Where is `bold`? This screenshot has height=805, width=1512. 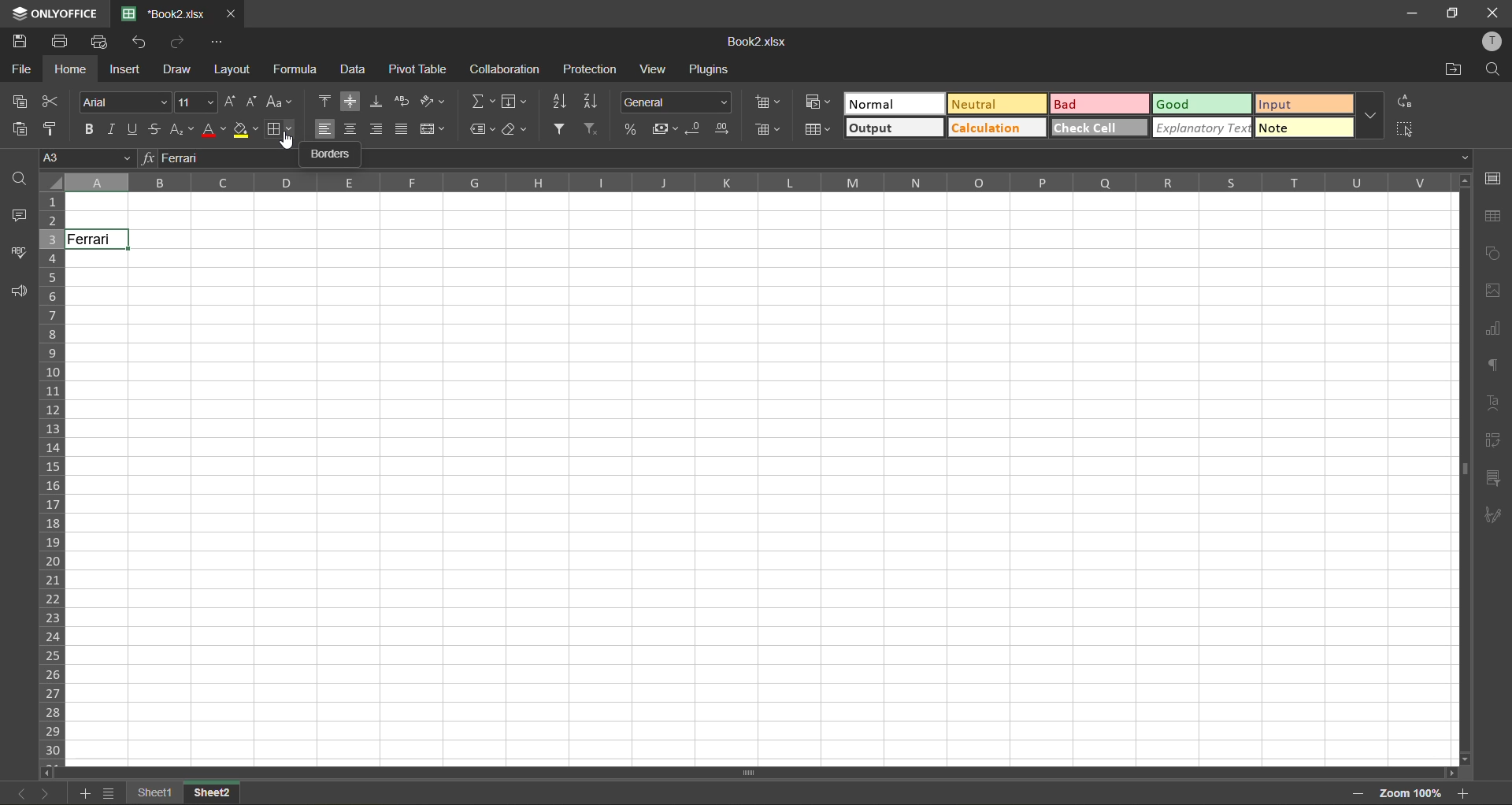 bold is located at coordinates (91, 131).